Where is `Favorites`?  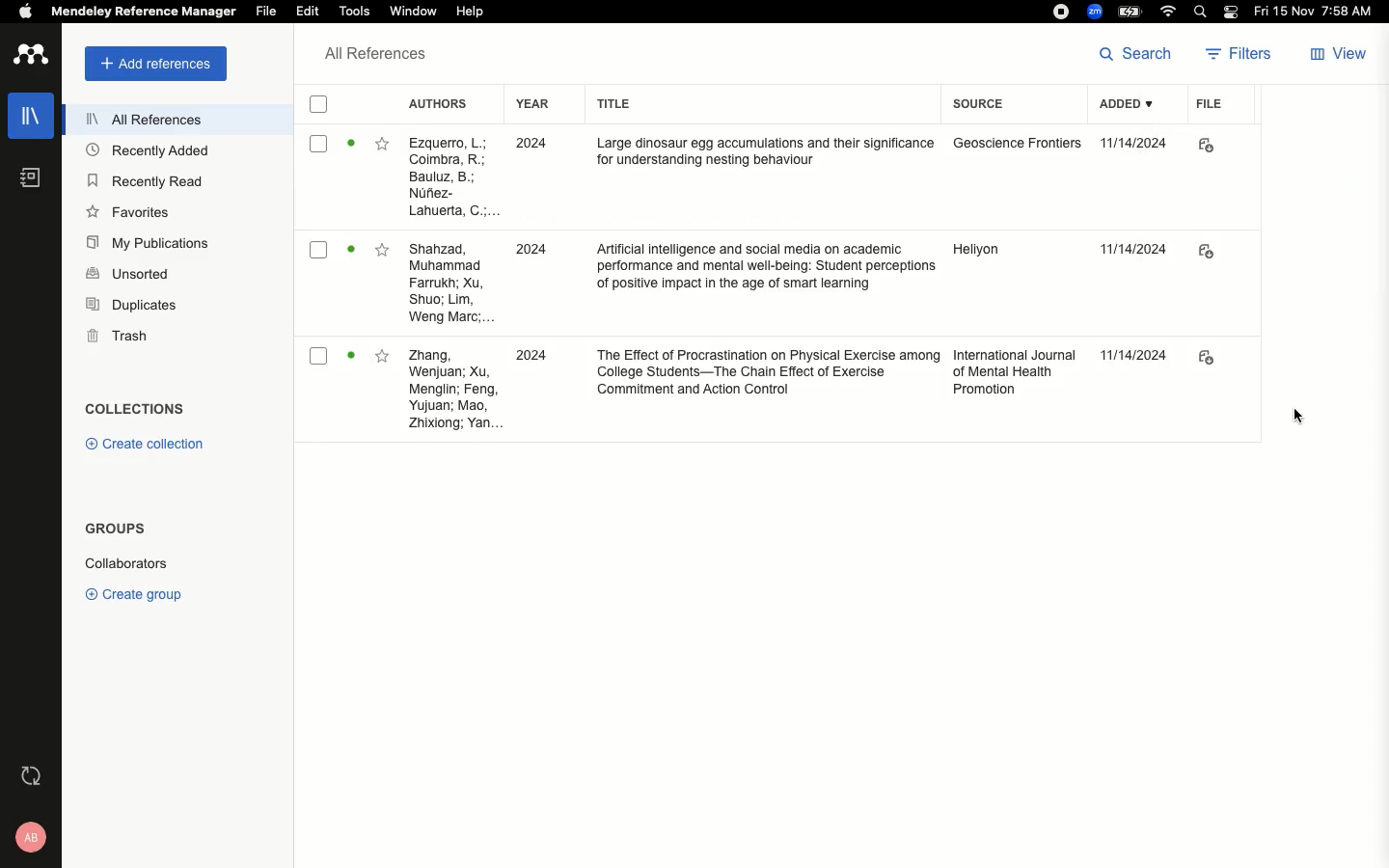 Favorites is located at coordinates (385, 249).